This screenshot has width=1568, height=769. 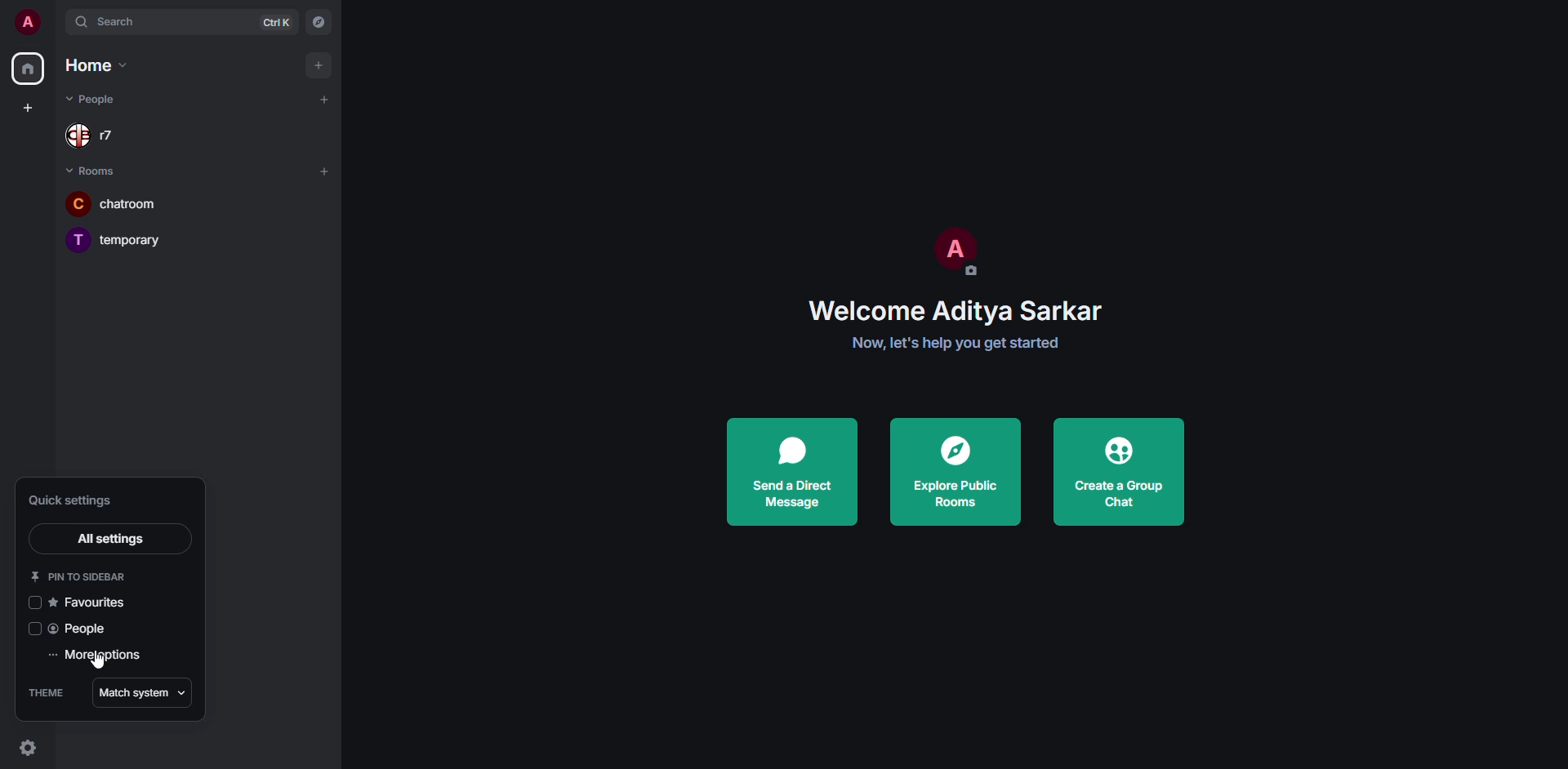 I want to click on people, so click(x=79, y=630).